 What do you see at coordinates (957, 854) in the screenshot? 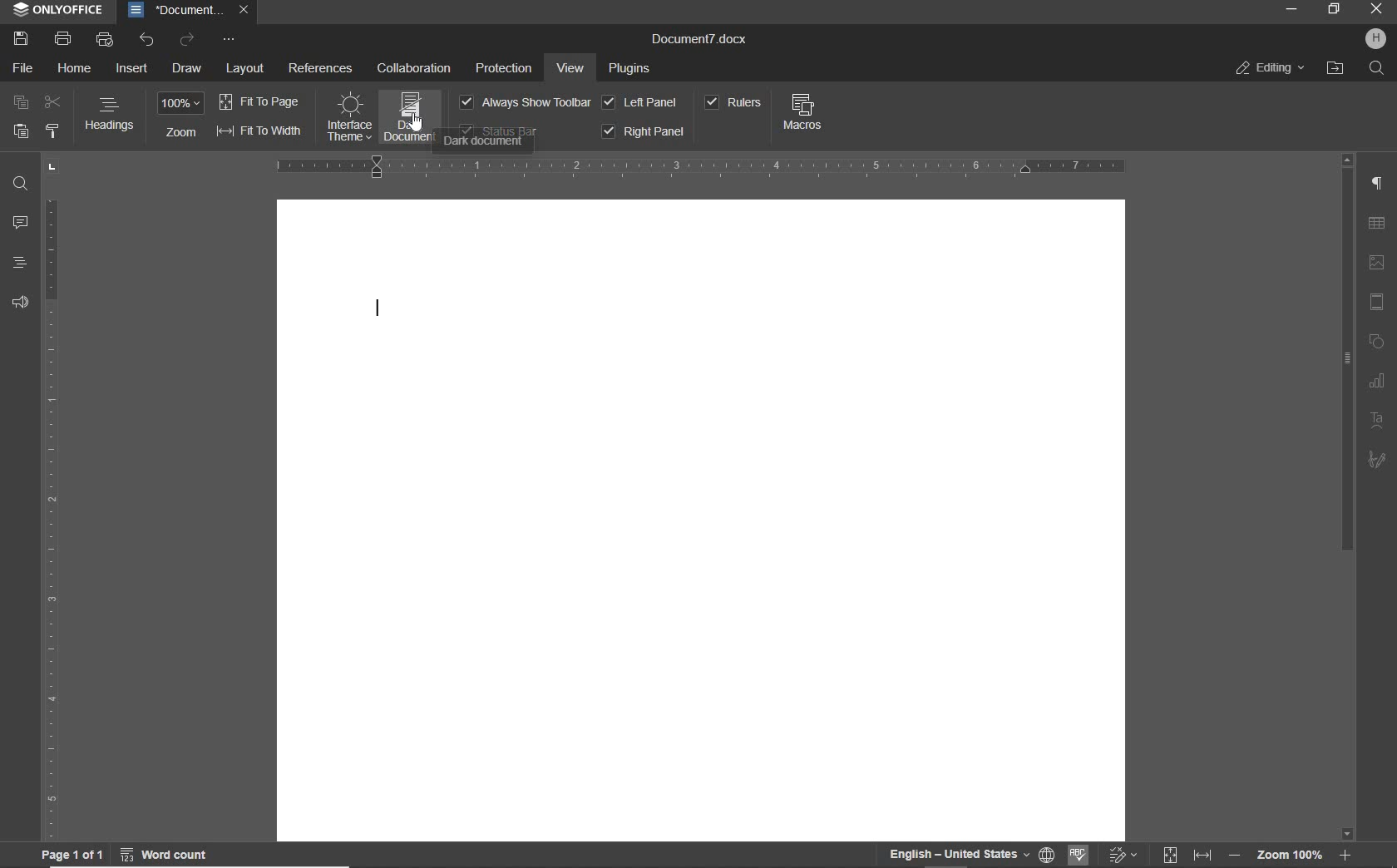
I see `TEXT LANGUAGE` at bounding box center [957, 854].